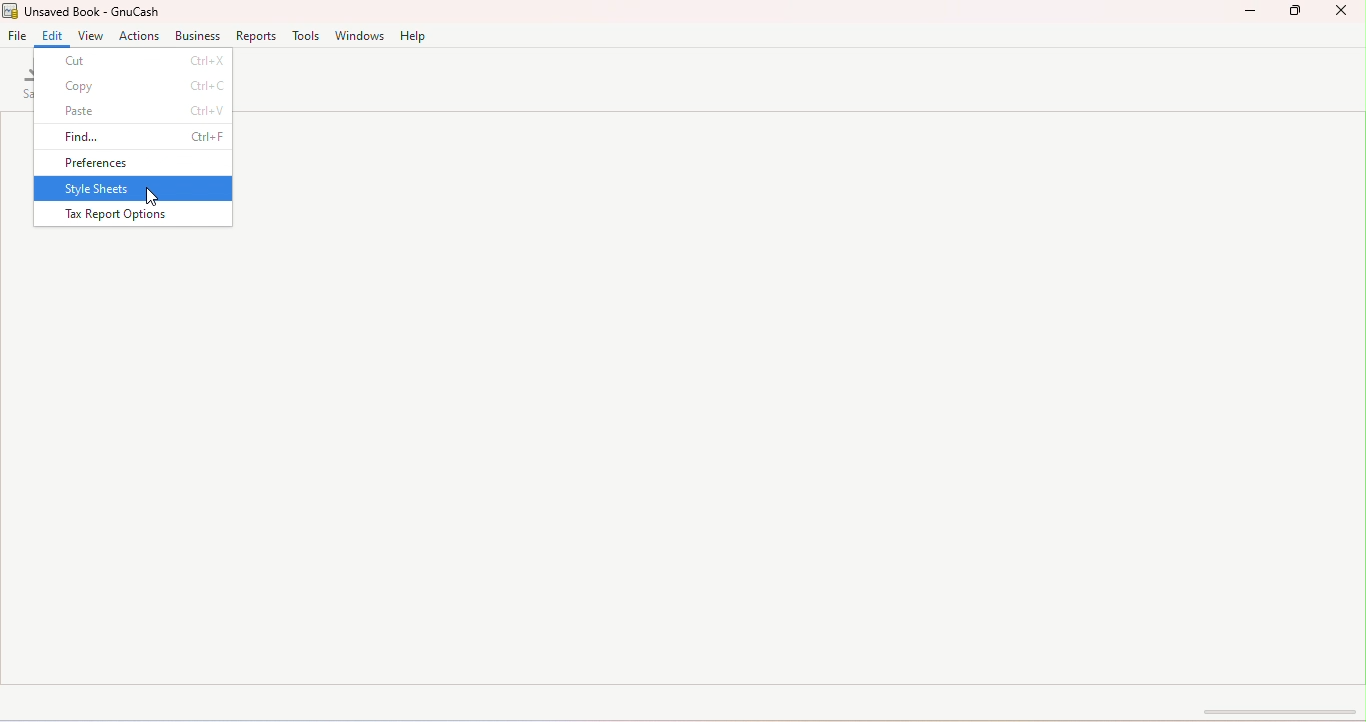  I want to click on Cursor, so click(157, 196).